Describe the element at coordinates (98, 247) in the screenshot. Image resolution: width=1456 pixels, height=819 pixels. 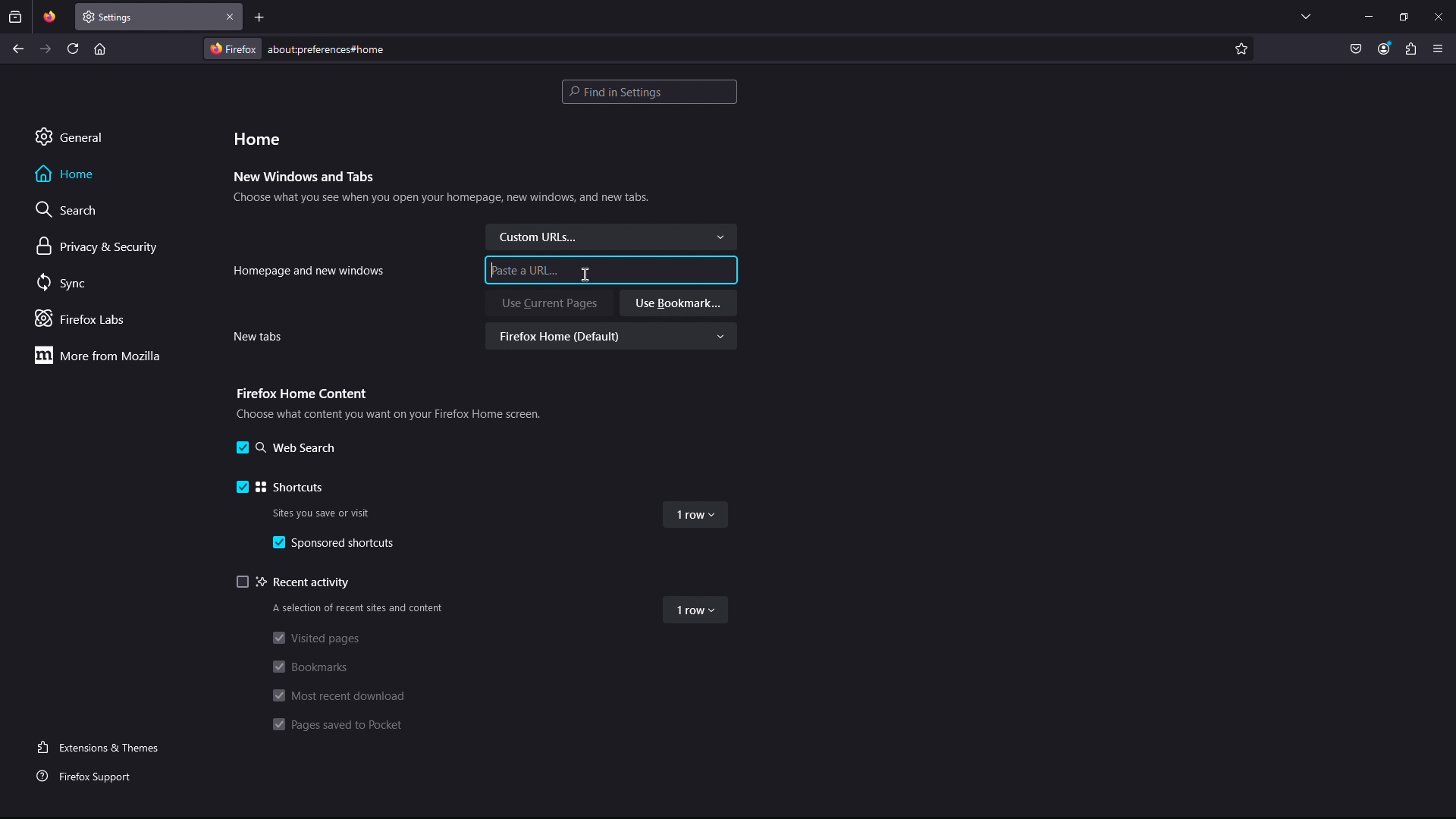
I see `Privacy & Security` at that location.